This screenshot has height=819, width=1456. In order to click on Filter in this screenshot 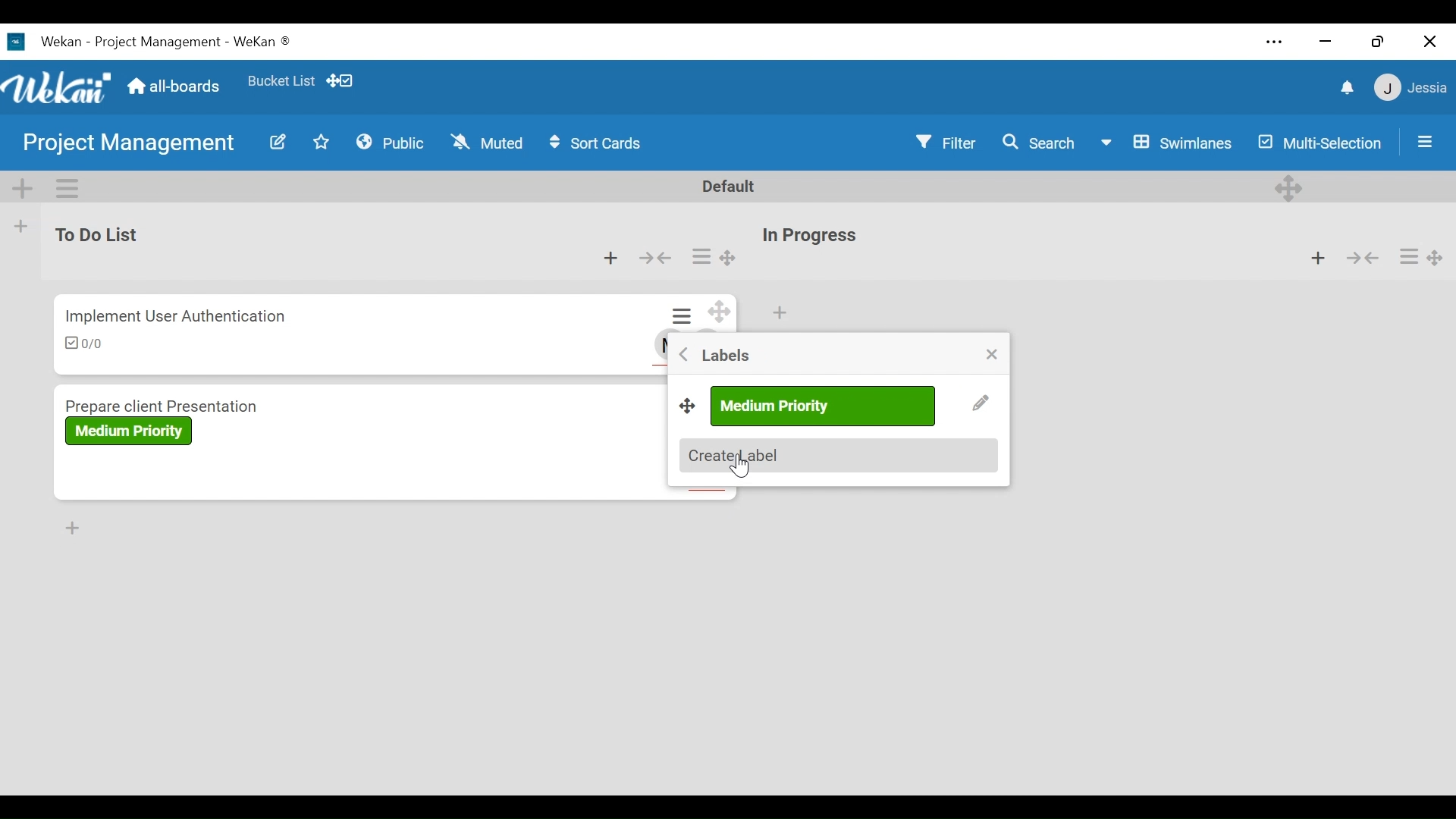, I will do `click(948, 142)`.